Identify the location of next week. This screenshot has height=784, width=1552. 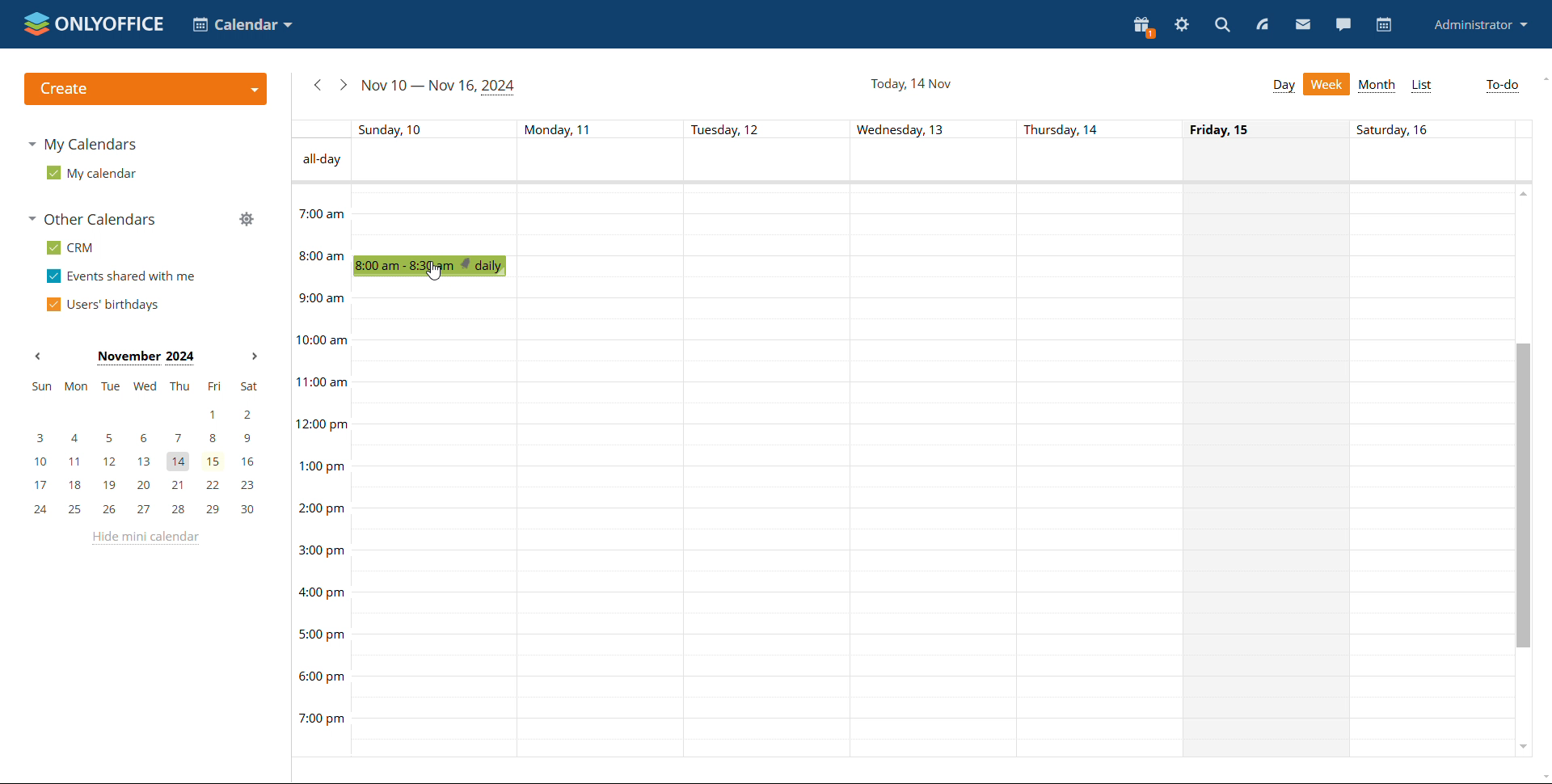
(343, 85).